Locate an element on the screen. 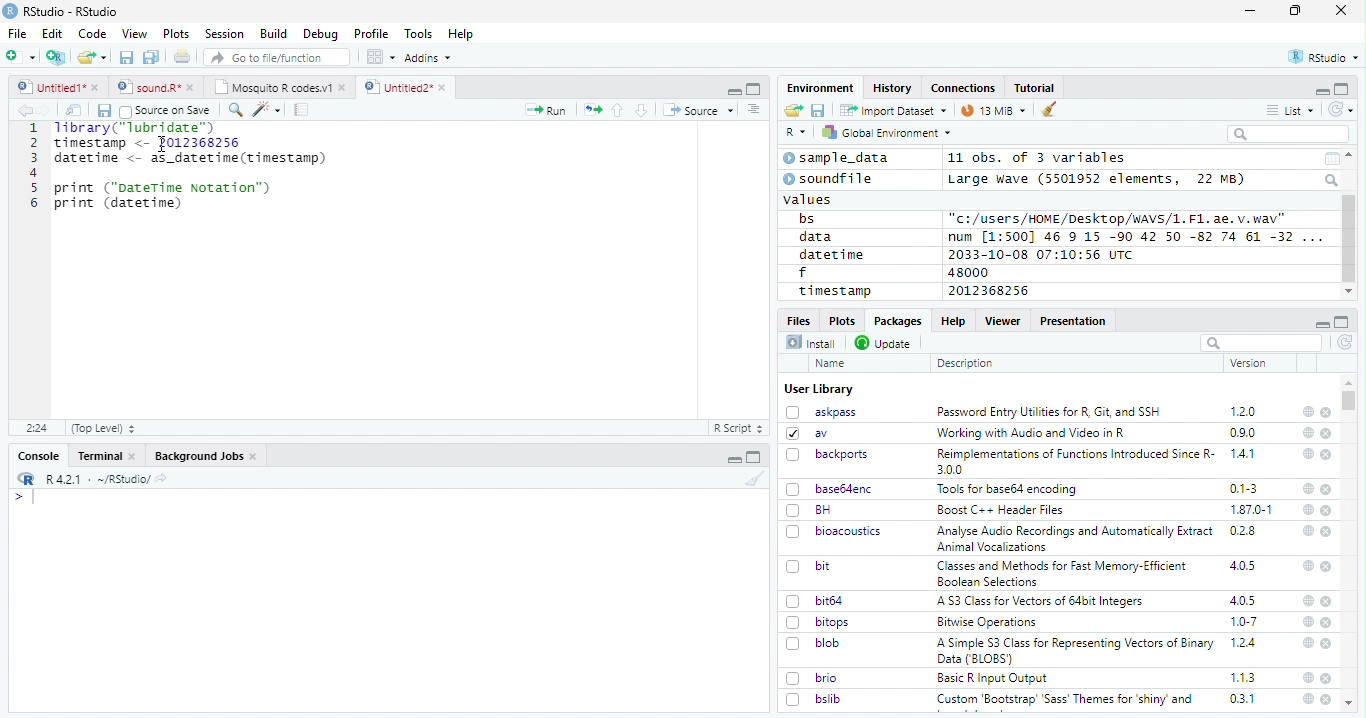  backports is located at coordinates (830, 455).